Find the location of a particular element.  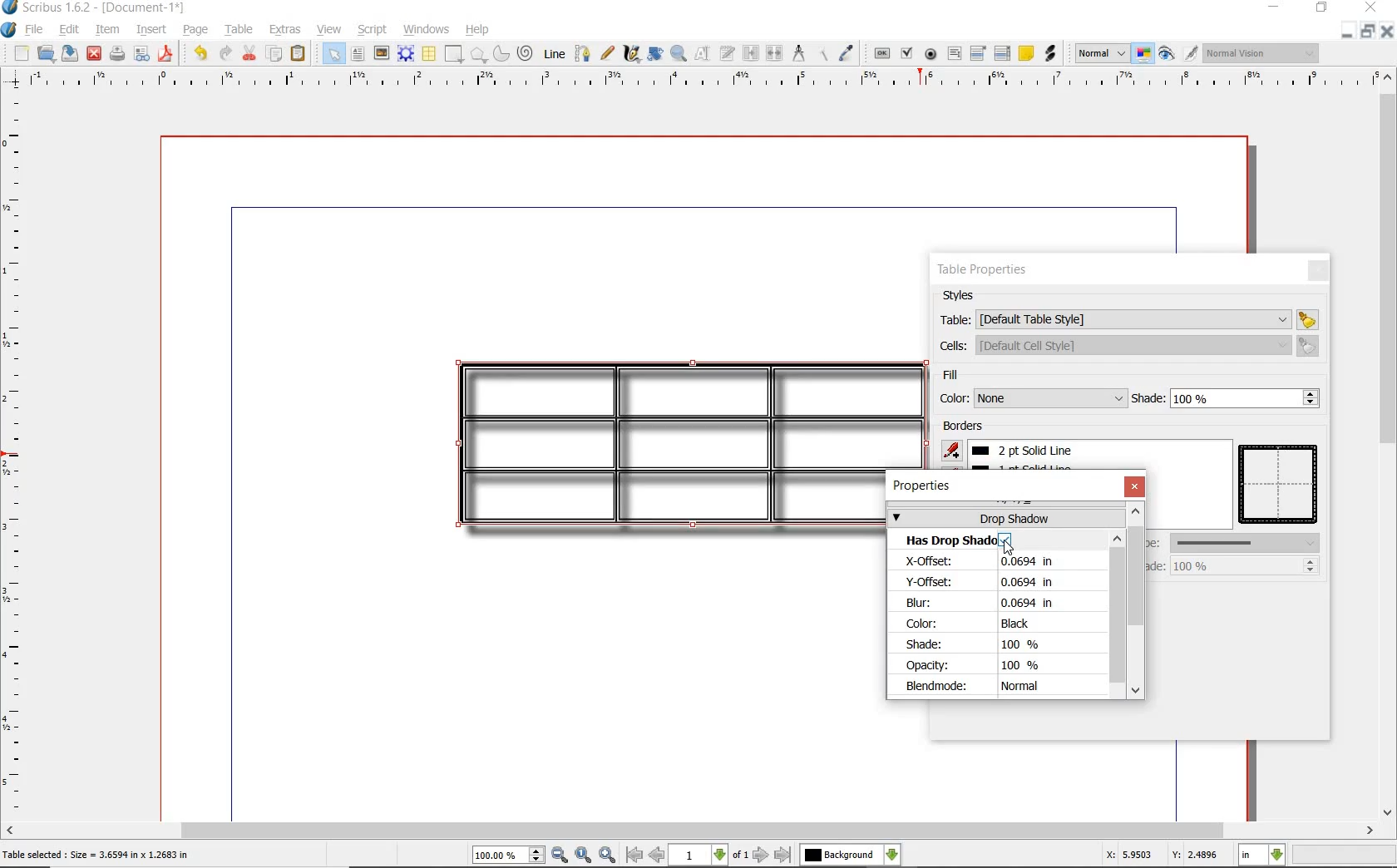

preflight verifier is located at coordinates (140, 55).